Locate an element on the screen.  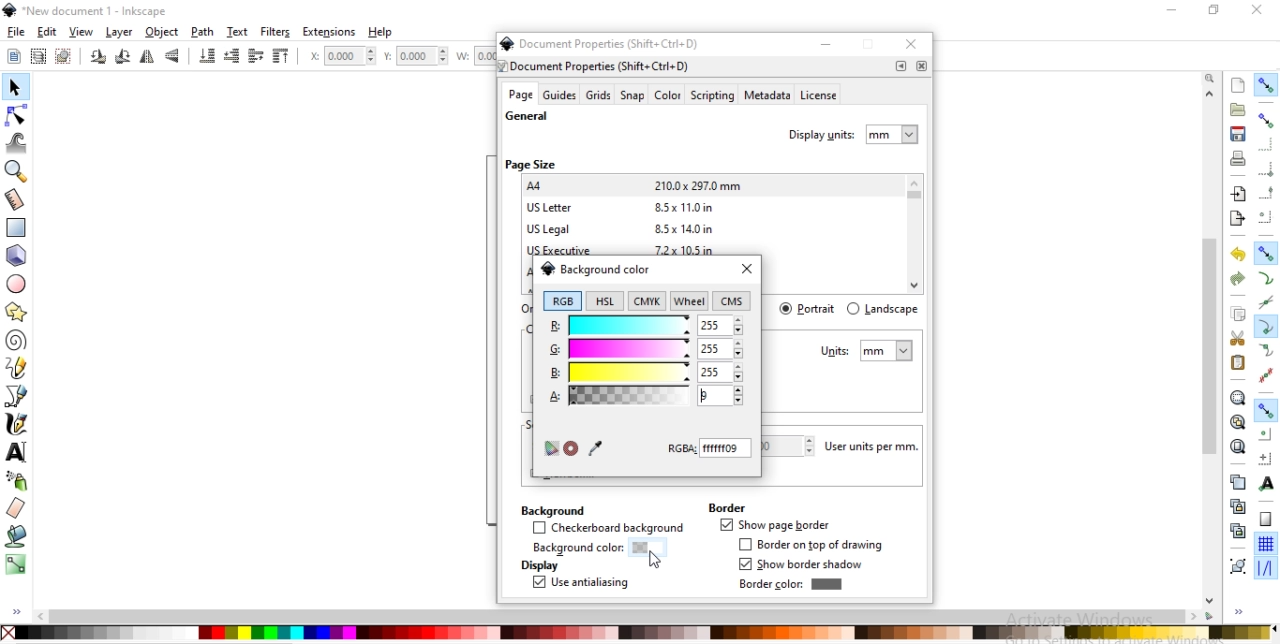
fill bounded areas is located at coordinates (16, 536).